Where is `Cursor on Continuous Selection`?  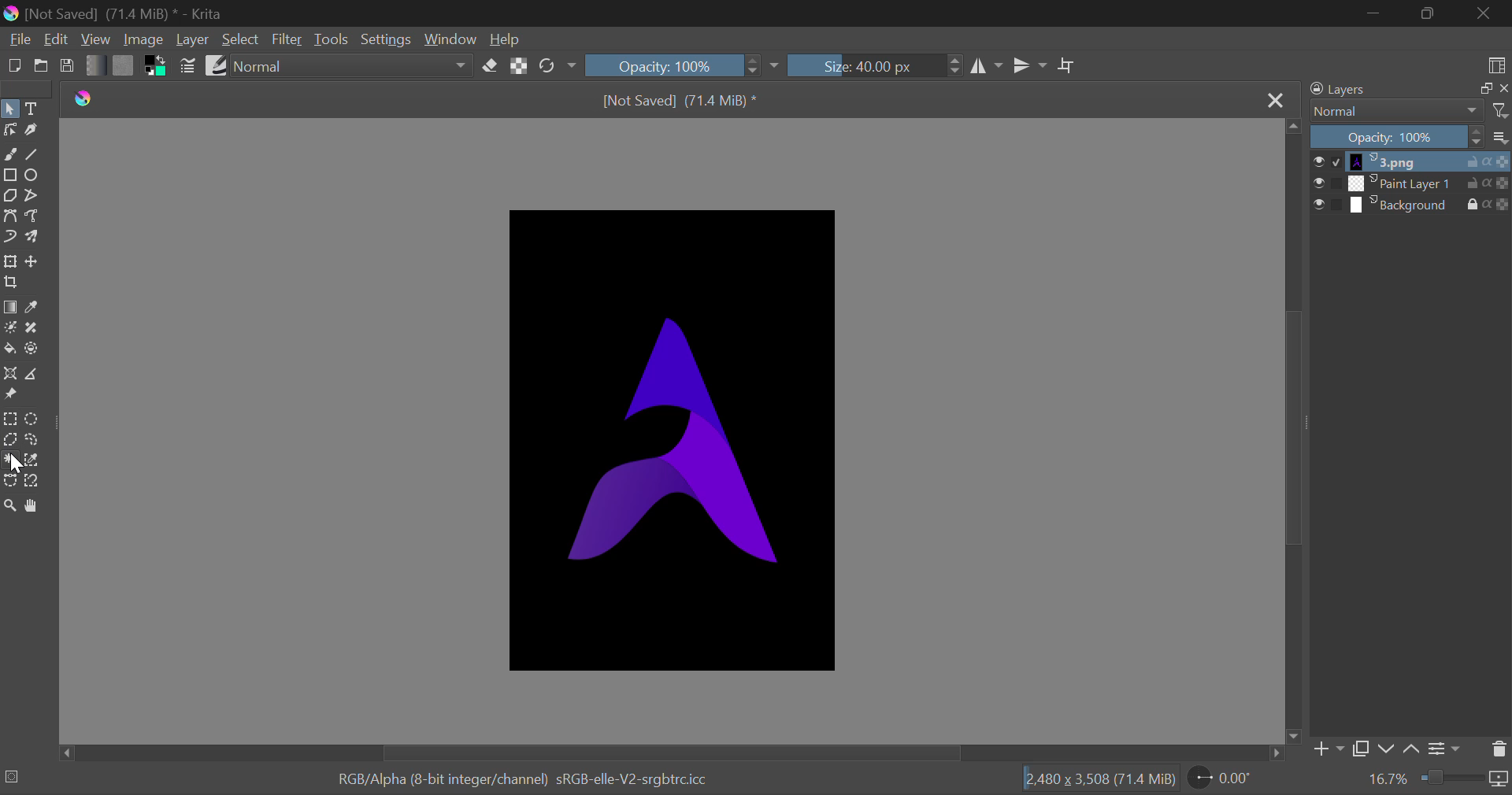 Cursor on Continuous Selection is located at coordinates (10, 460).